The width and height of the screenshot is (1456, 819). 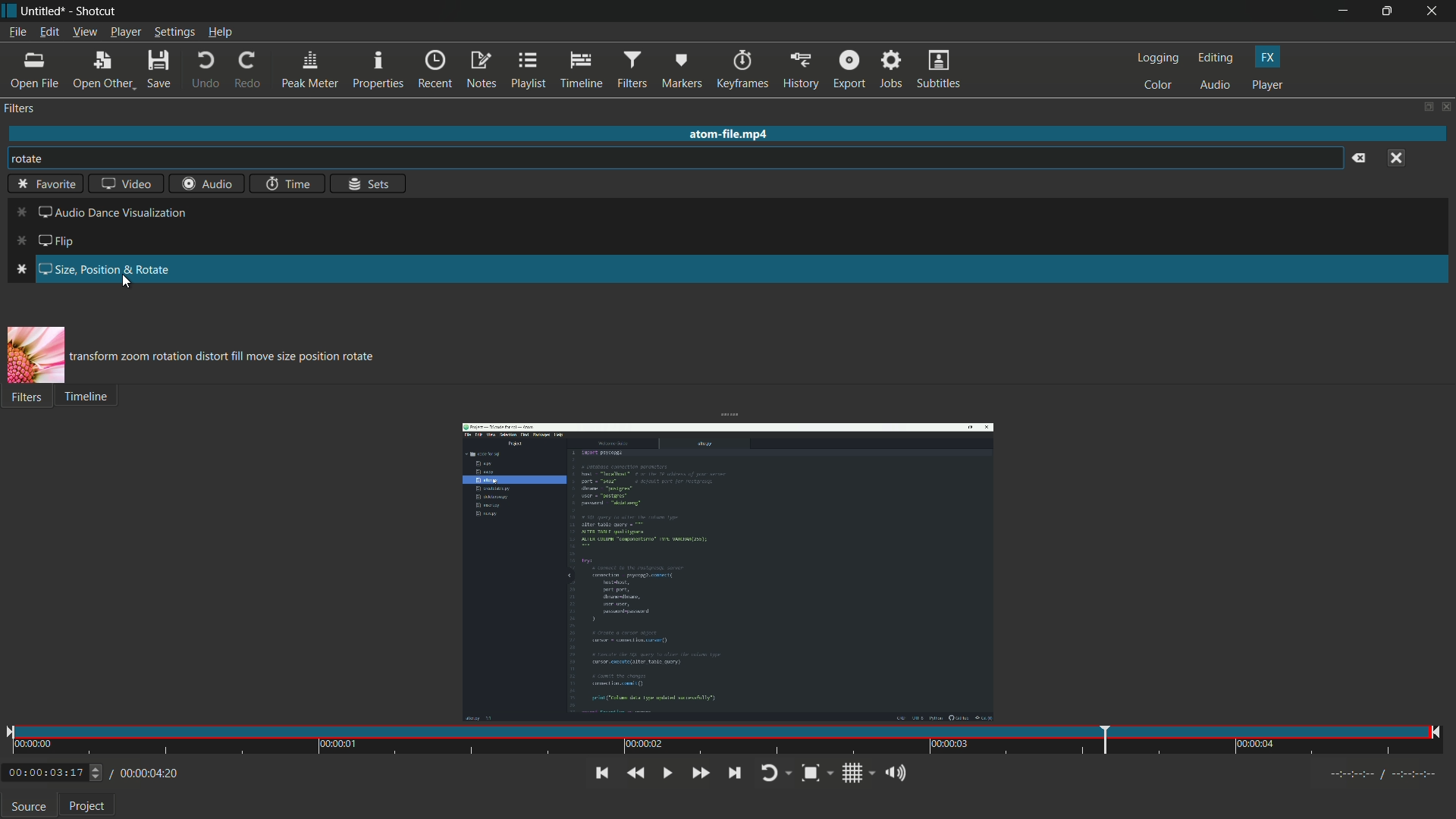 What do you see at coordinates (800, 71) in the screenshot?
I see `history` at bounding box center [800, 71].